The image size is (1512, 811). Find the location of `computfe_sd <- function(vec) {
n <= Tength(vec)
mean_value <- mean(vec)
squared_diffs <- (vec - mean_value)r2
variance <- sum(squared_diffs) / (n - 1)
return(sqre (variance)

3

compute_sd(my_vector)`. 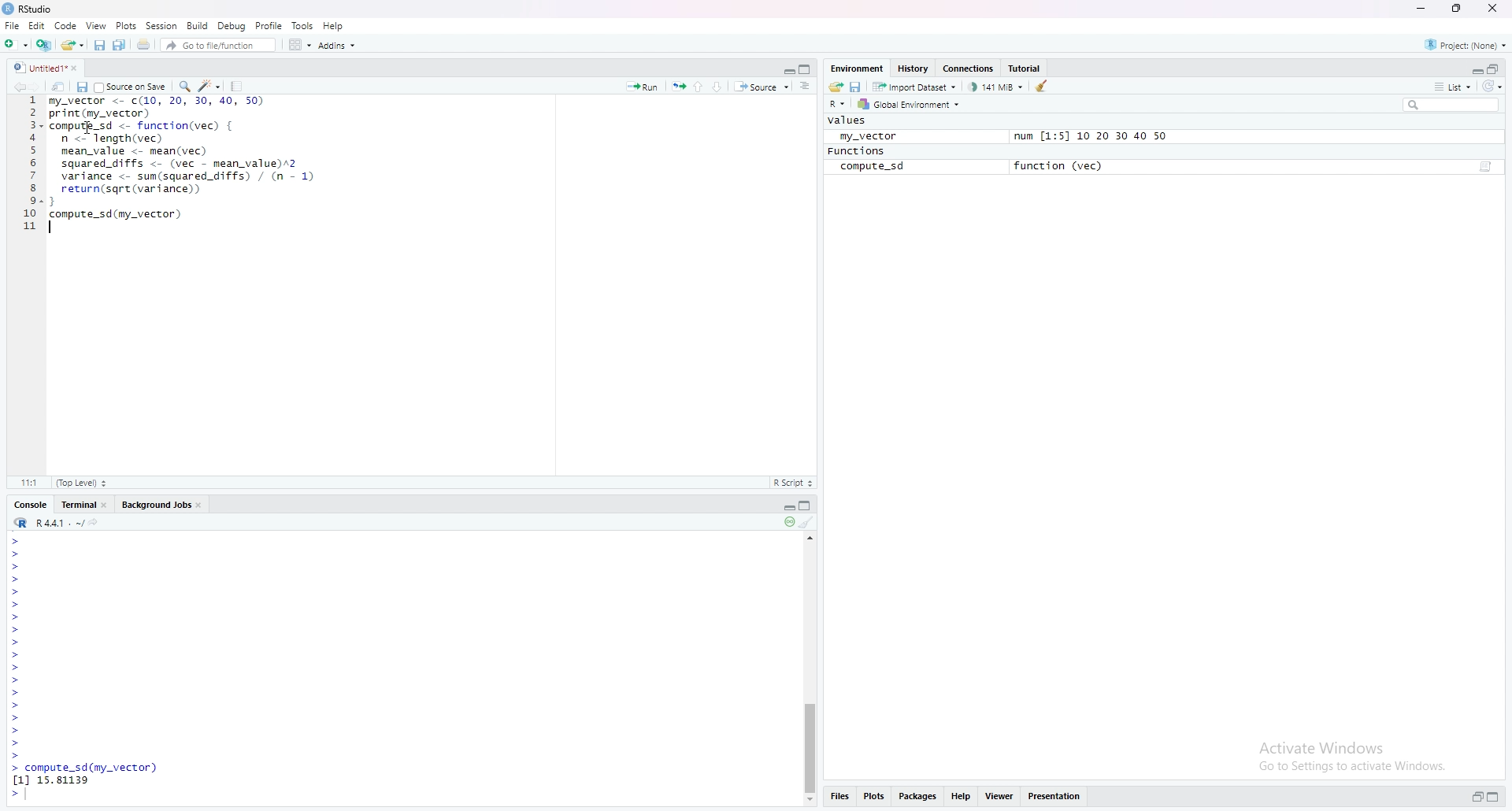

computfe_sd <- function(vec) {
n <= Tength(vec)
mean_value <- mean(vec)
squared_diffs <- (vec - mean_value)r2
variance <- sum(squared_diffs) / (n - 1)
return(sqre (variance)

3

compute_sd(my_vector) is located at coordinates (184, 176).